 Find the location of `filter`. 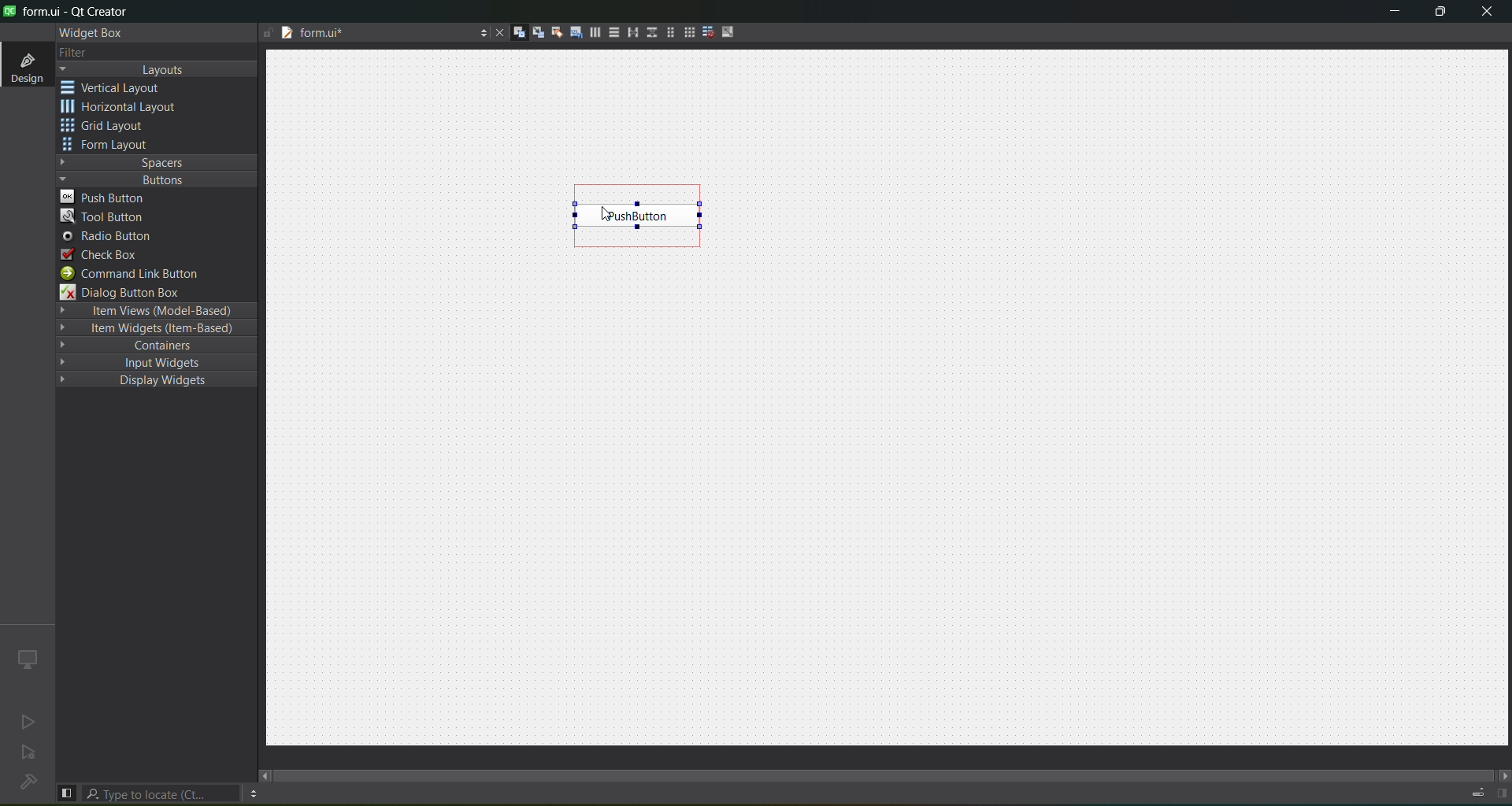

filter is located at coordinates (72, 52).